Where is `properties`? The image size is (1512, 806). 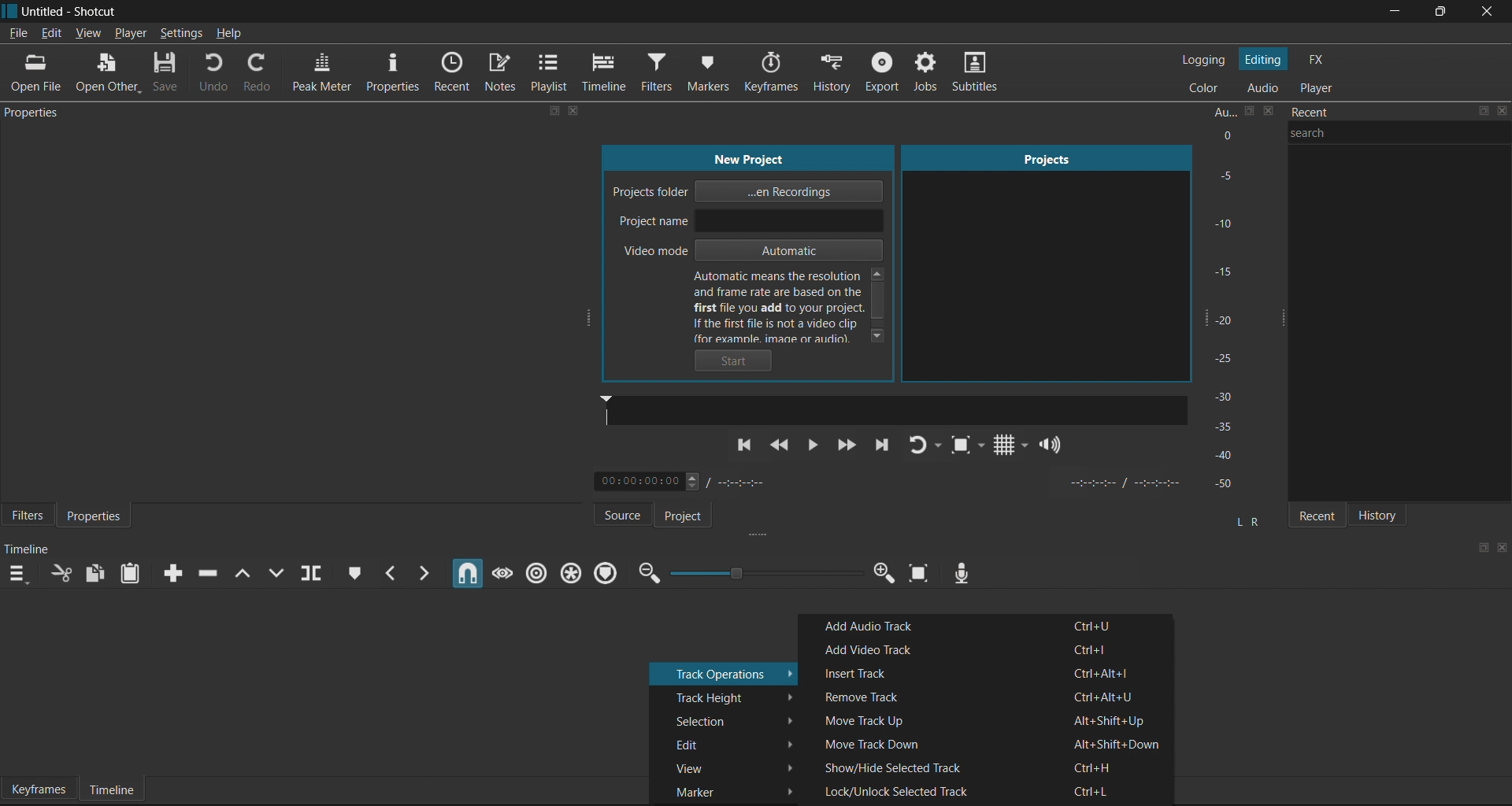
properties is located at coordinates (36, 113).